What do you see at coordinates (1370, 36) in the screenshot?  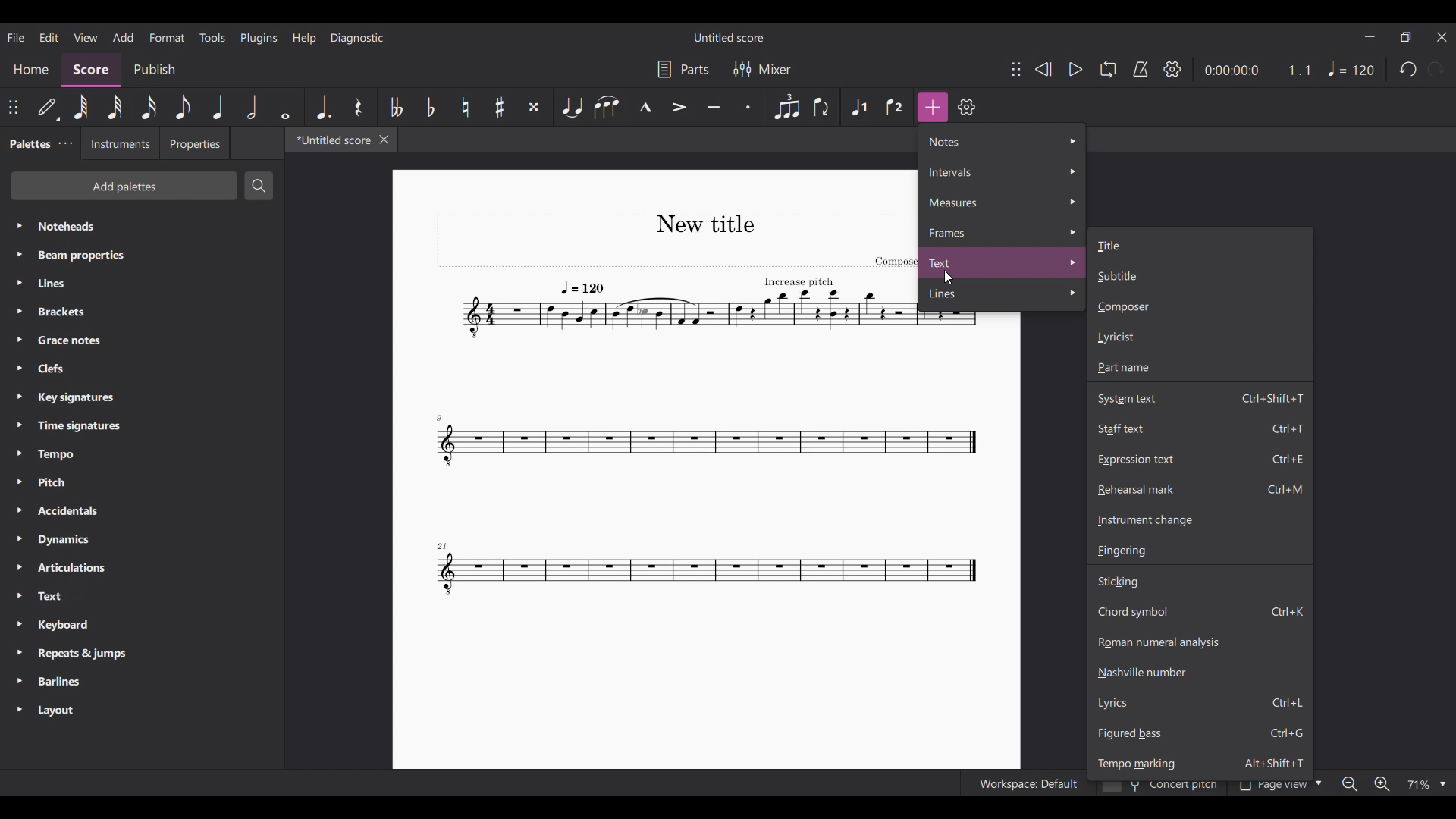 I see `Minimize` at bounding box center [1370, 36].